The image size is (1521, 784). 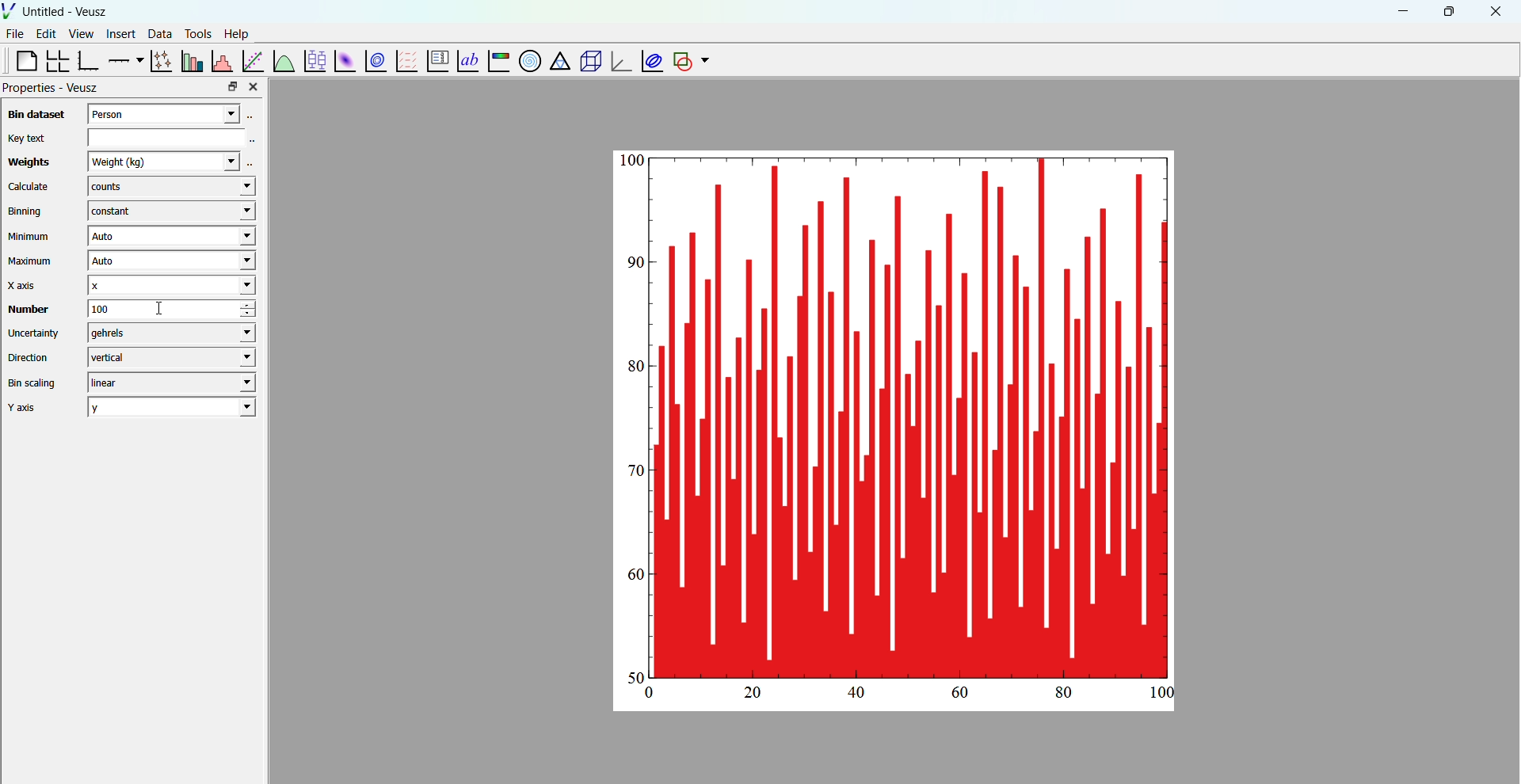 I want to click on 50 - 100kg weight category added on Y axis, so click(x=629, y=418).